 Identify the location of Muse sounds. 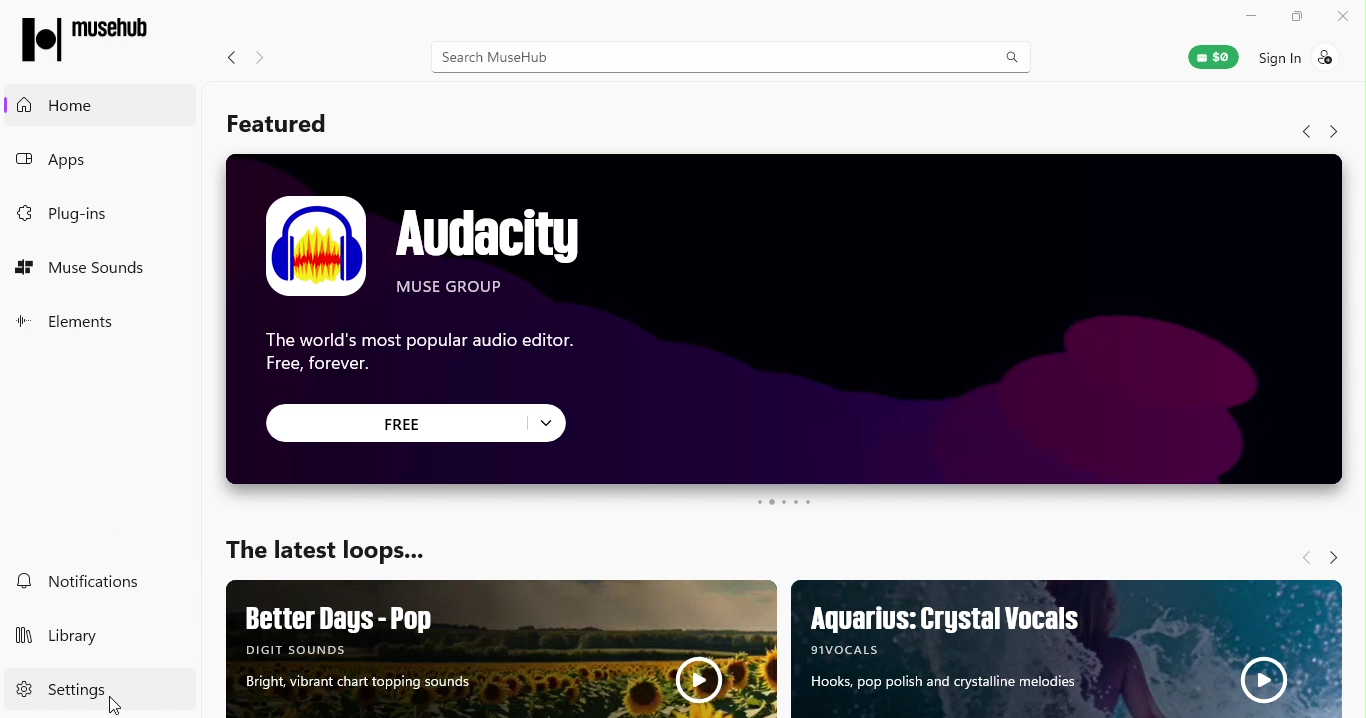
(87, 271).